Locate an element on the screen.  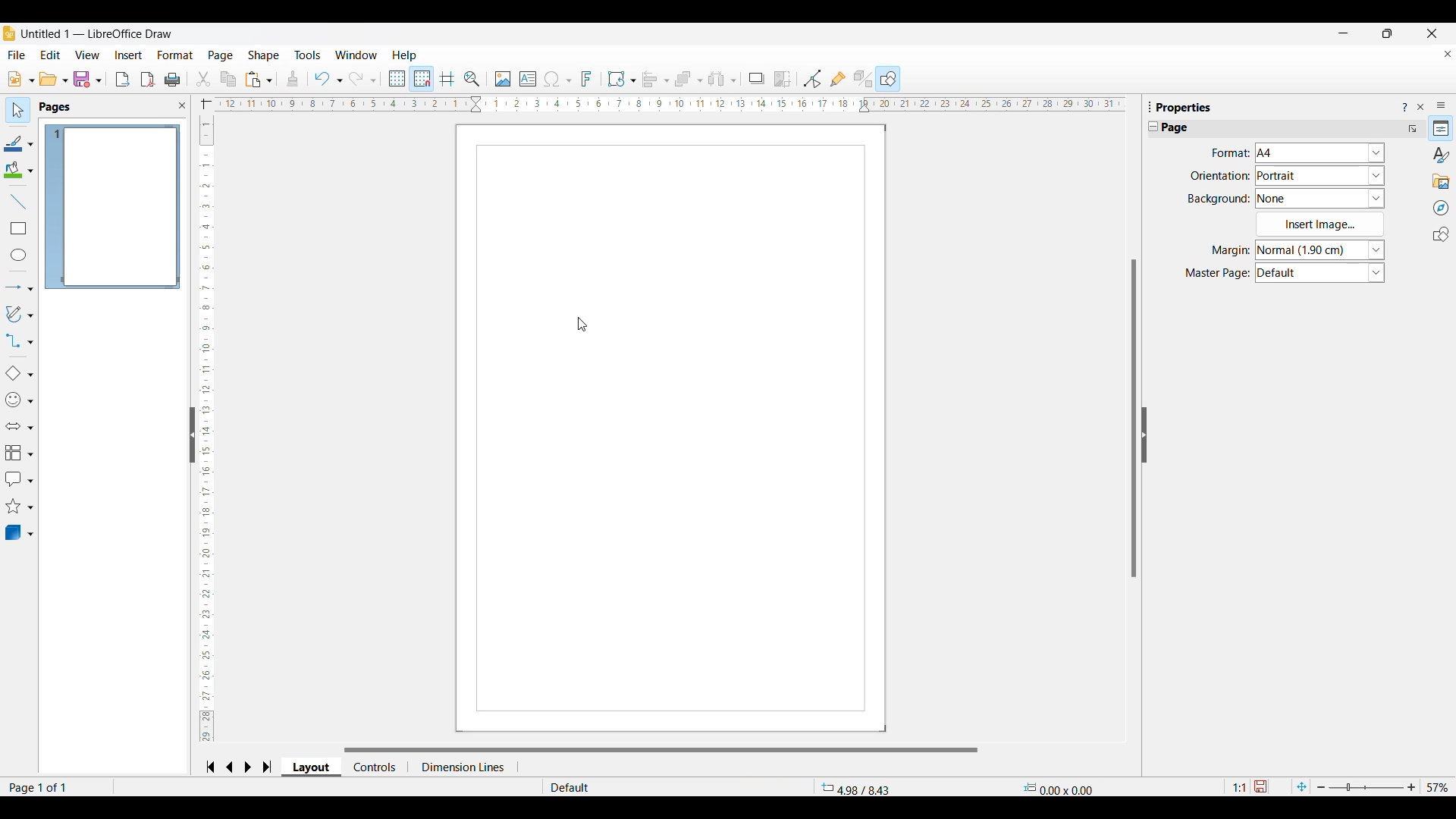
Go to previous slide is located at coordinates (230, 767).